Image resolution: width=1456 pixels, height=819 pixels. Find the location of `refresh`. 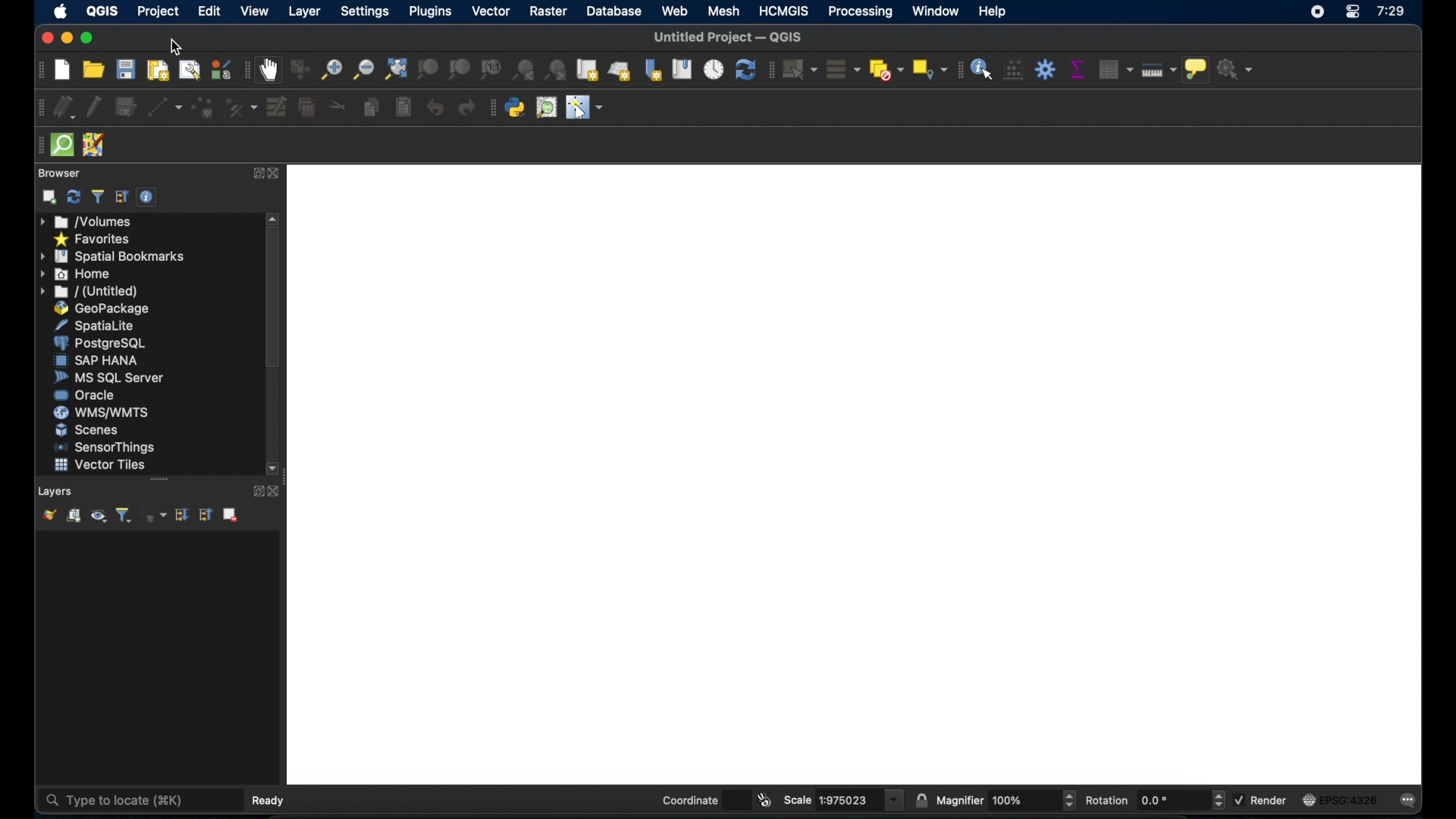

refresh is located at coordinates (745, 71).